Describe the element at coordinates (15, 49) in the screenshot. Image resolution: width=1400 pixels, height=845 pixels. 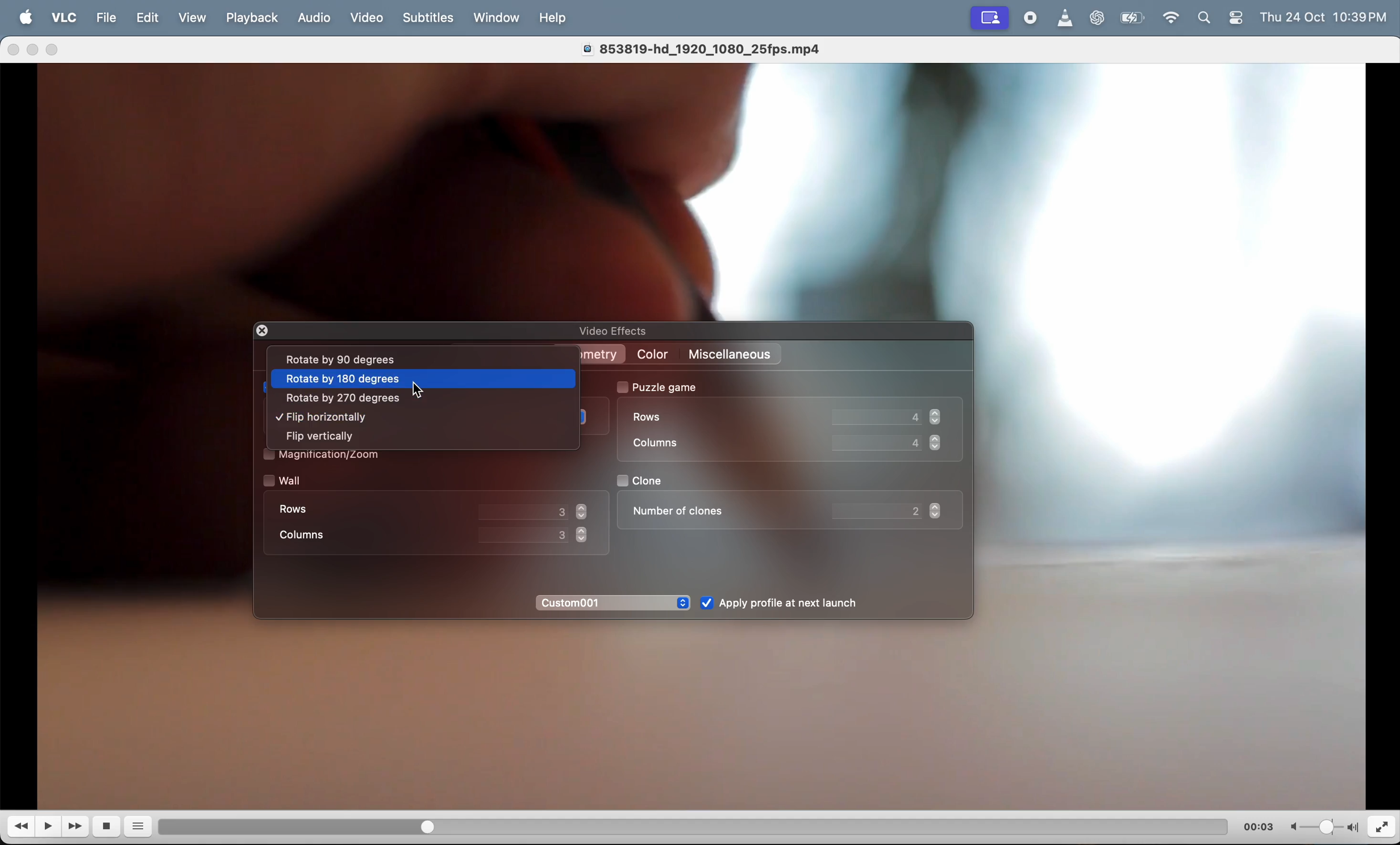
I see `close` at that location.